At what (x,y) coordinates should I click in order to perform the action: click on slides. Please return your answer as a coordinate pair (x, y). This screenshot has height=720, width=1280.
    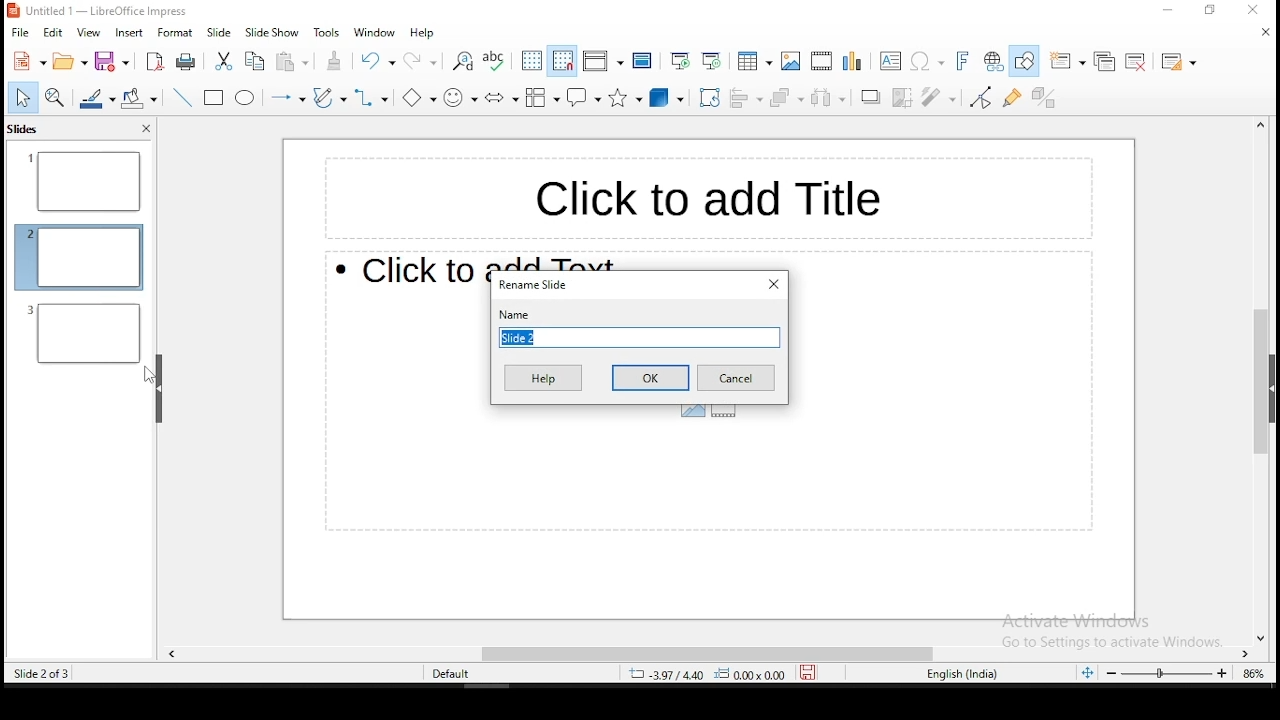
    Looking at the image, I should click on (24, 131).